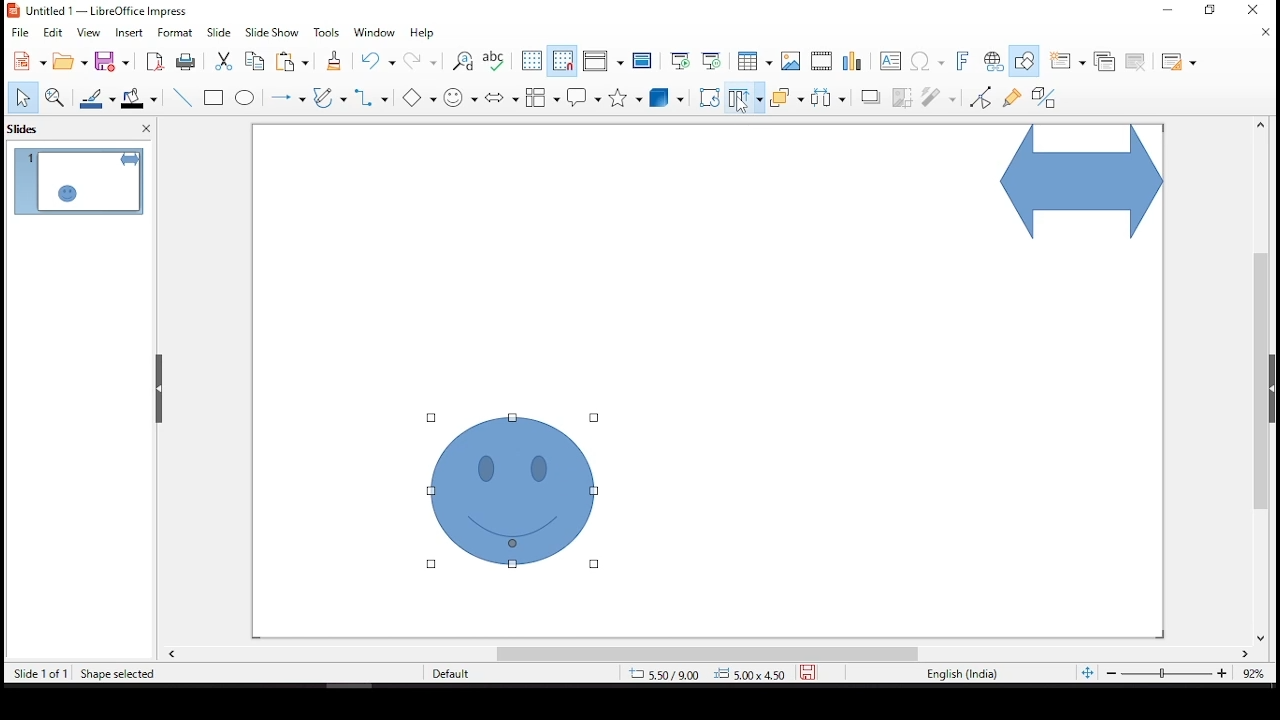  What do you see at coordinates (808, 670) in the screenshot?
I see `save` at bounding box center [808, 670].